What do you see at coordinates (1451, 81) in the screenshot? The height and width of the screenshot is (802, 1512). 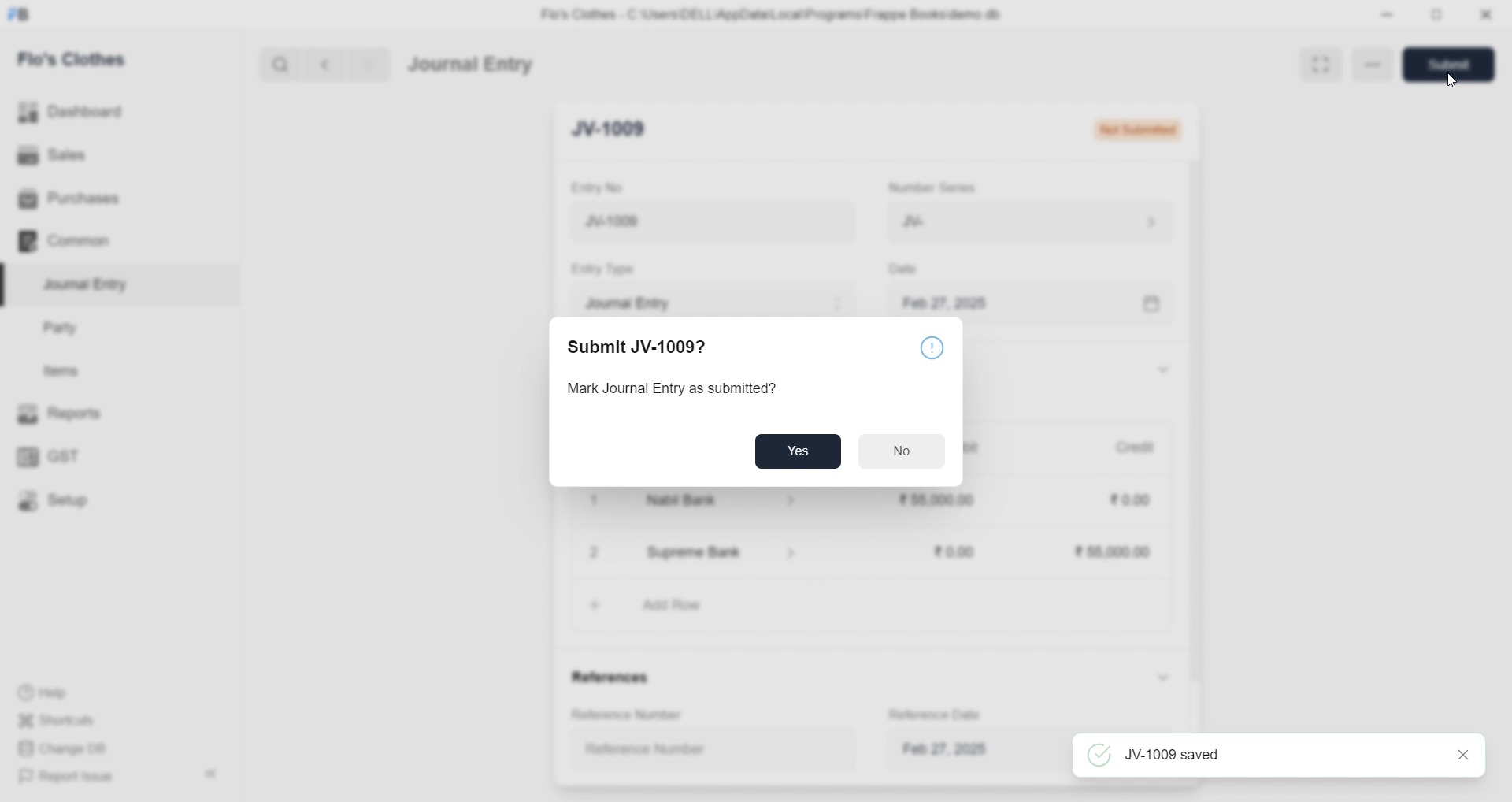 I see `cursor` at bounding box center [1451, 81].